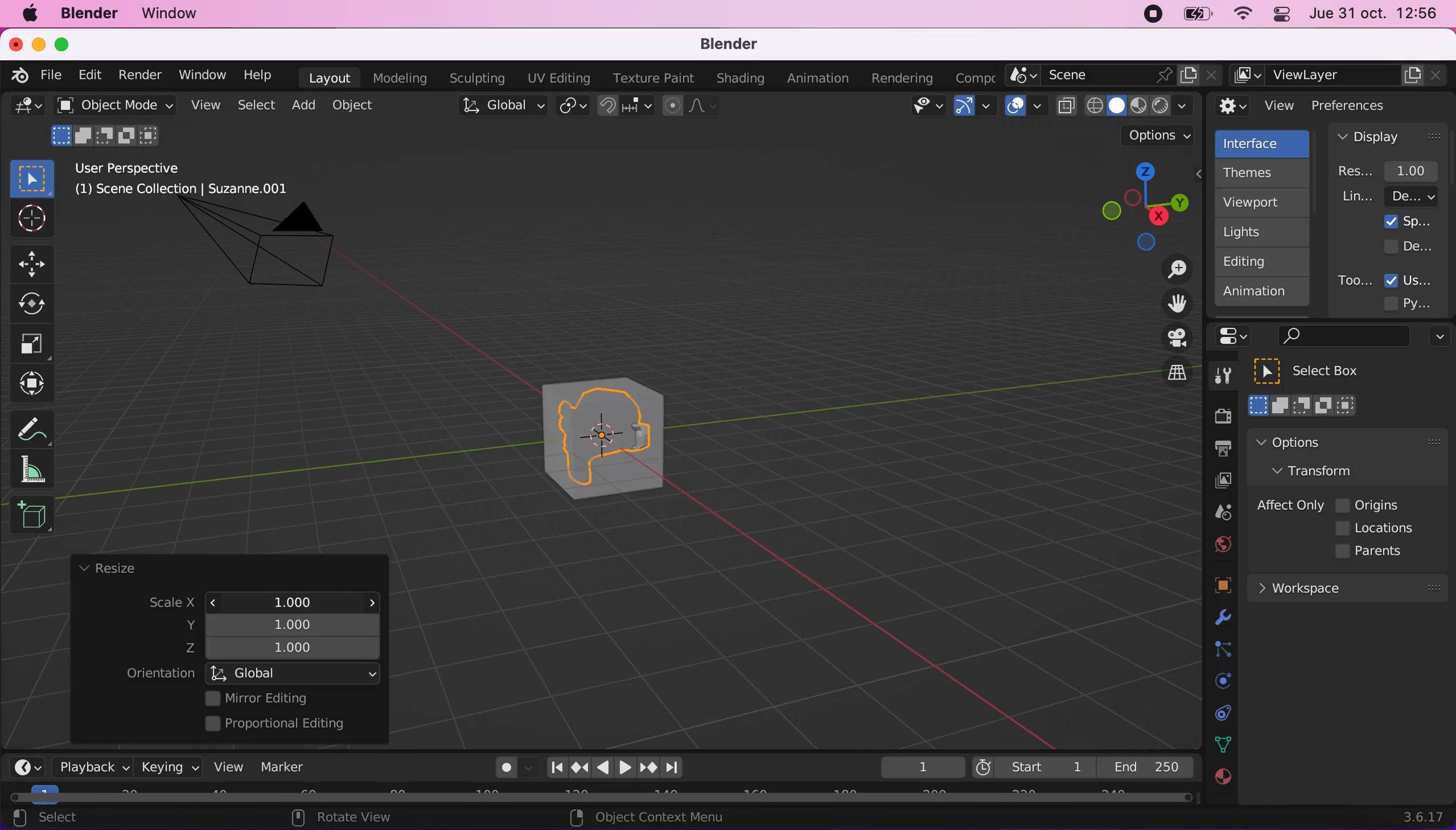 The height and width of the screenshot is (830, 1456). I want to click on jump to keyframe, so click(580, 767).